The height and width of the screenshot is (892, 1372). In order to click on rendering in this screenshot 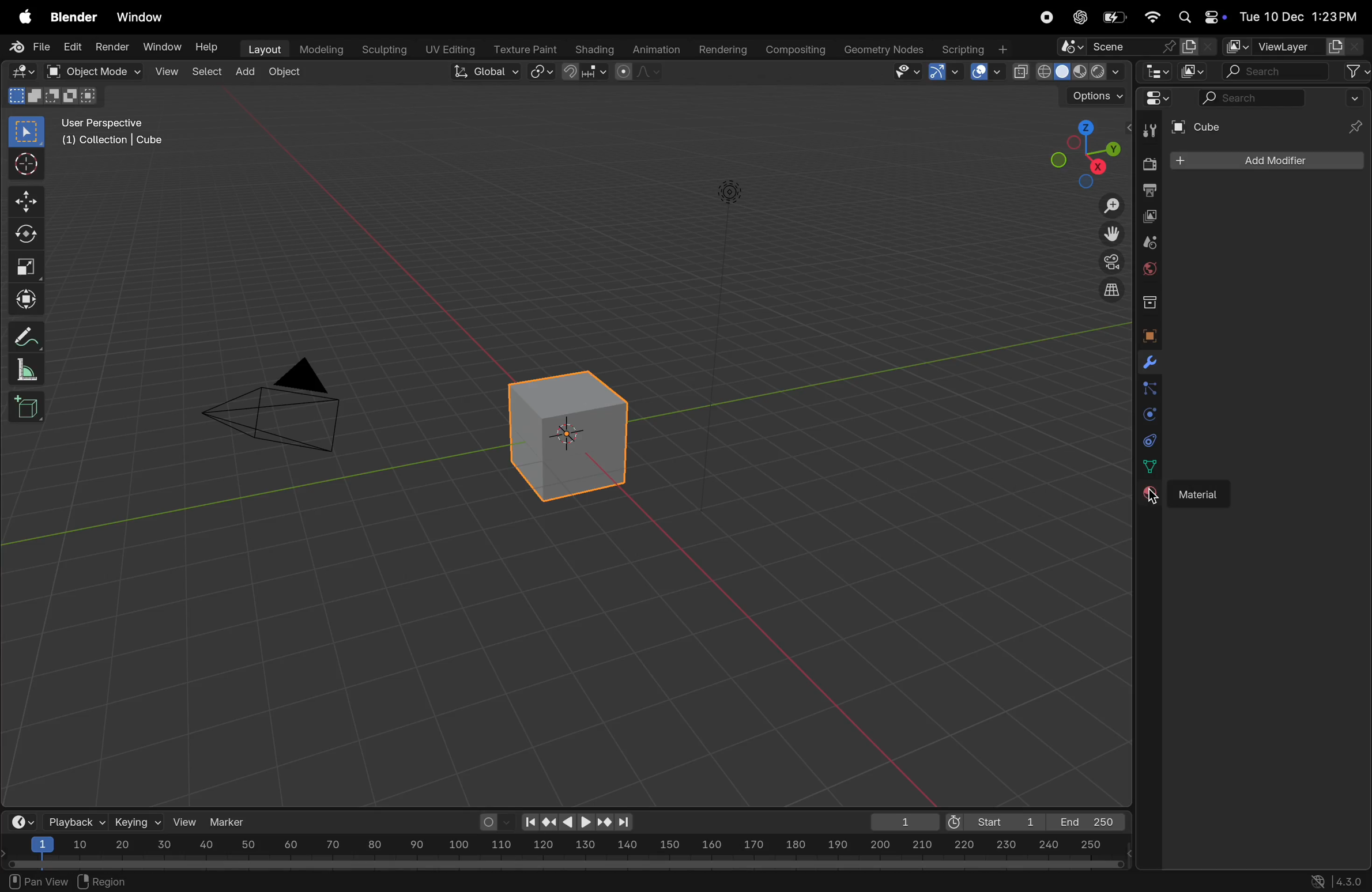, I will do `click(719, 48)`.